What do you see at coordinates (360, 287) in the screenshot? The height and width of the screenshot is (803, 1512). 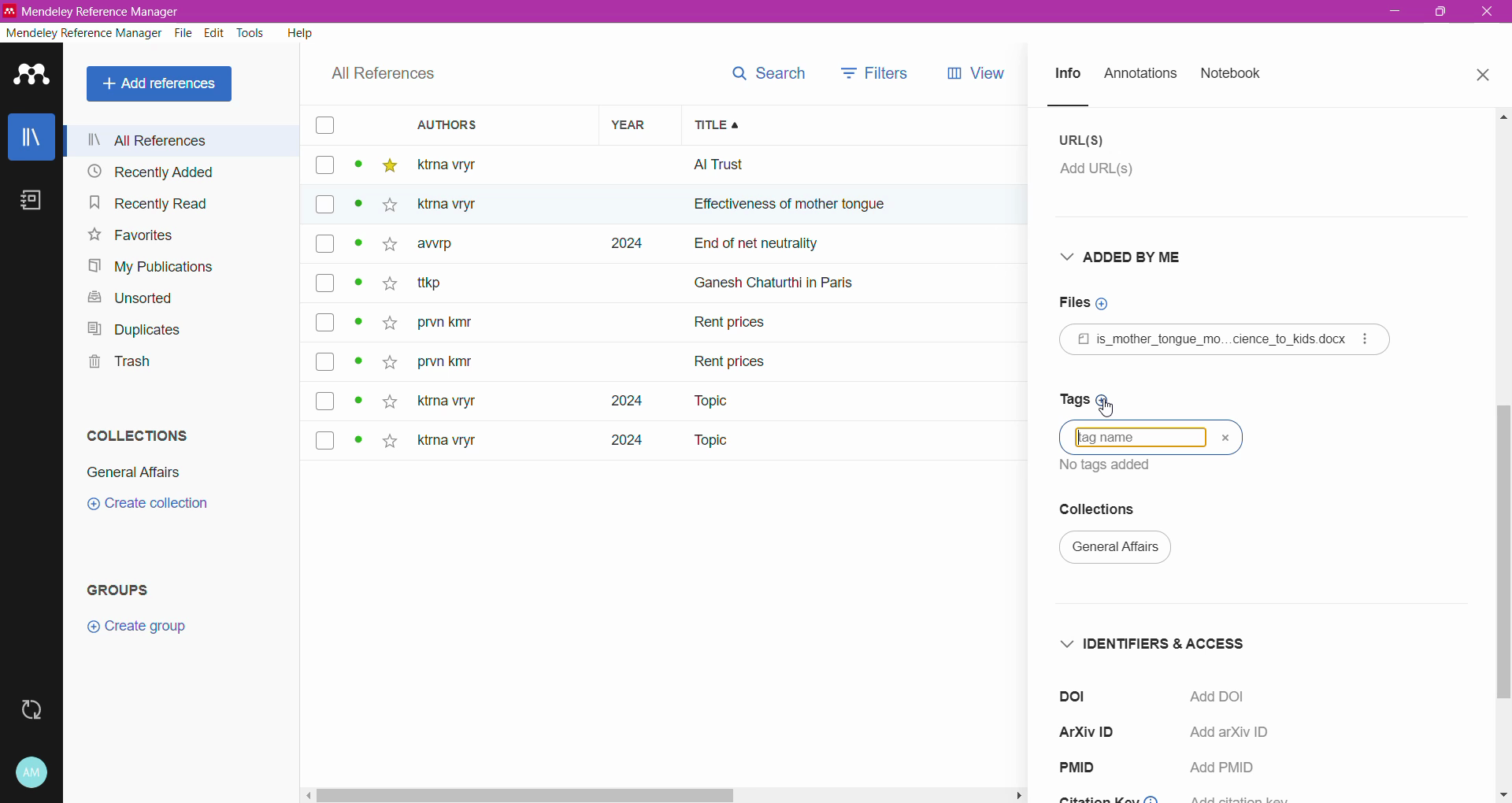 I see `dot ` at bounding box center [360, 287].